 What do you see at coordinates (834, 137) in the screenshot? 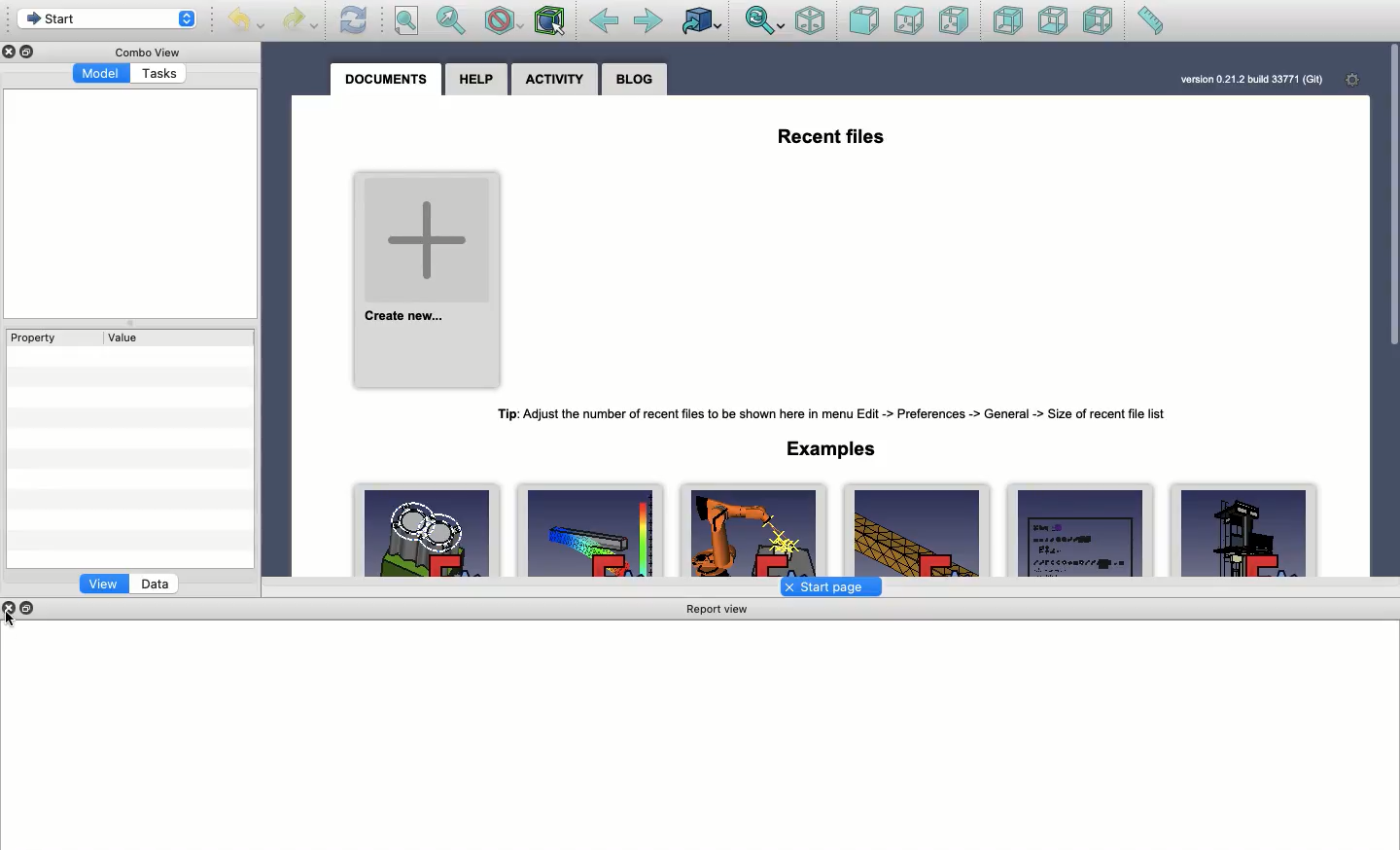
I see `Recent files` at bounding box center [834, 137].